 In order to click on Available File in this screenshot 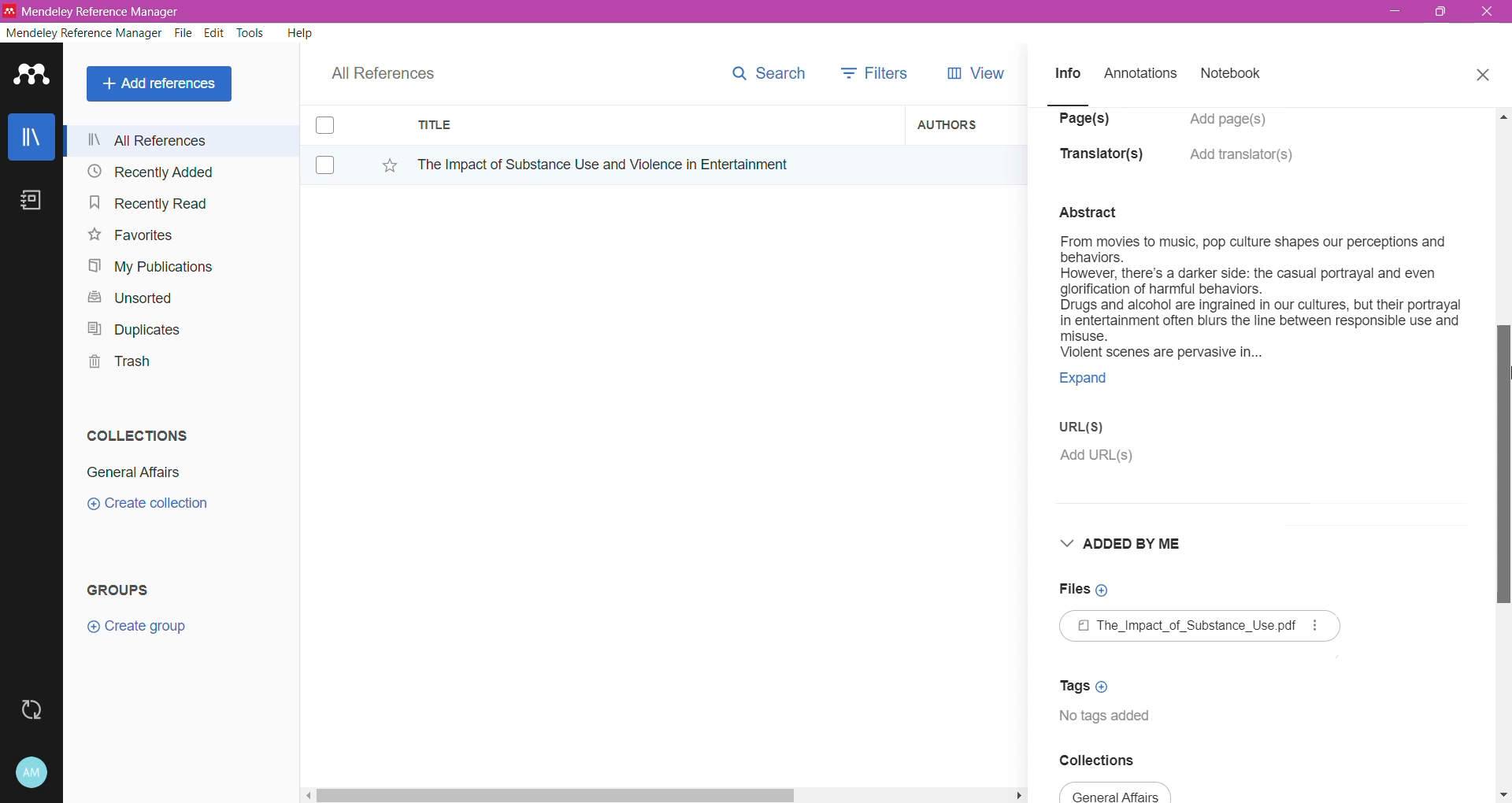, I will do `click(1200, 627)`.